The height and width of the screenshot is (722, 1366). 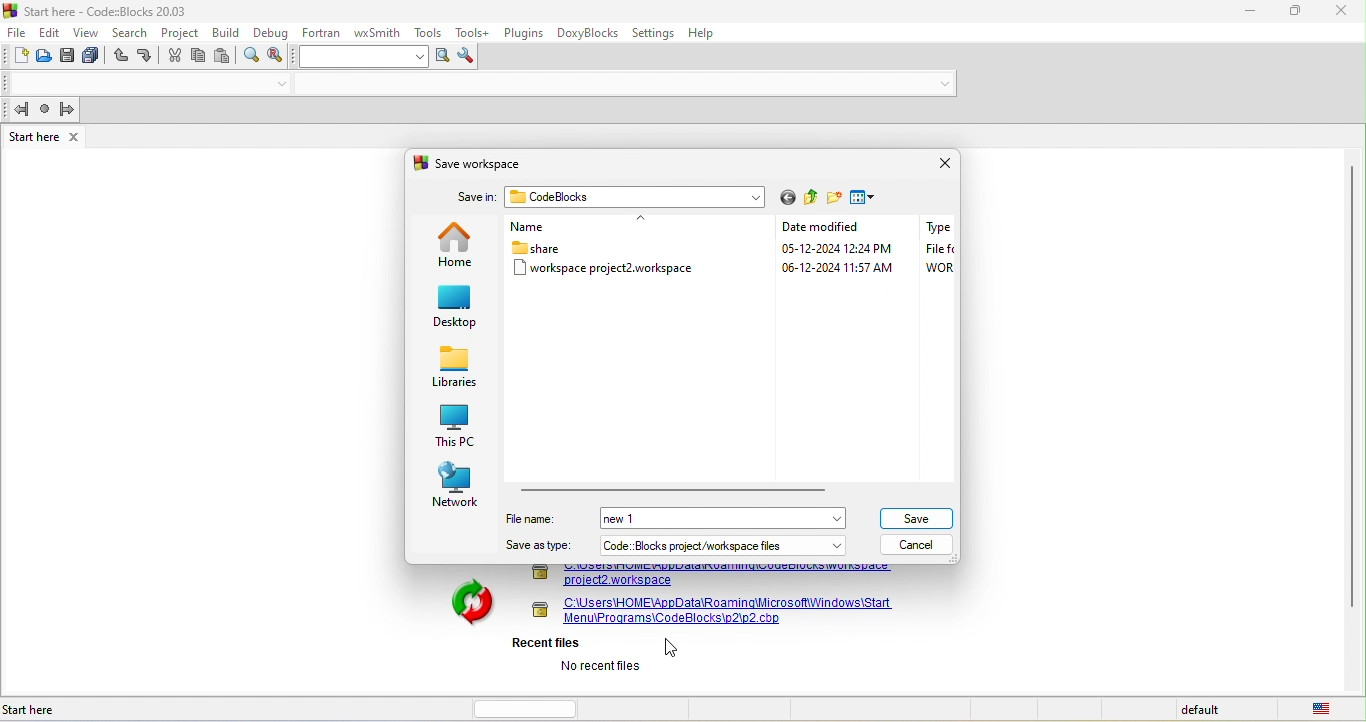 I want to click on file, so click(x=17, y=31).